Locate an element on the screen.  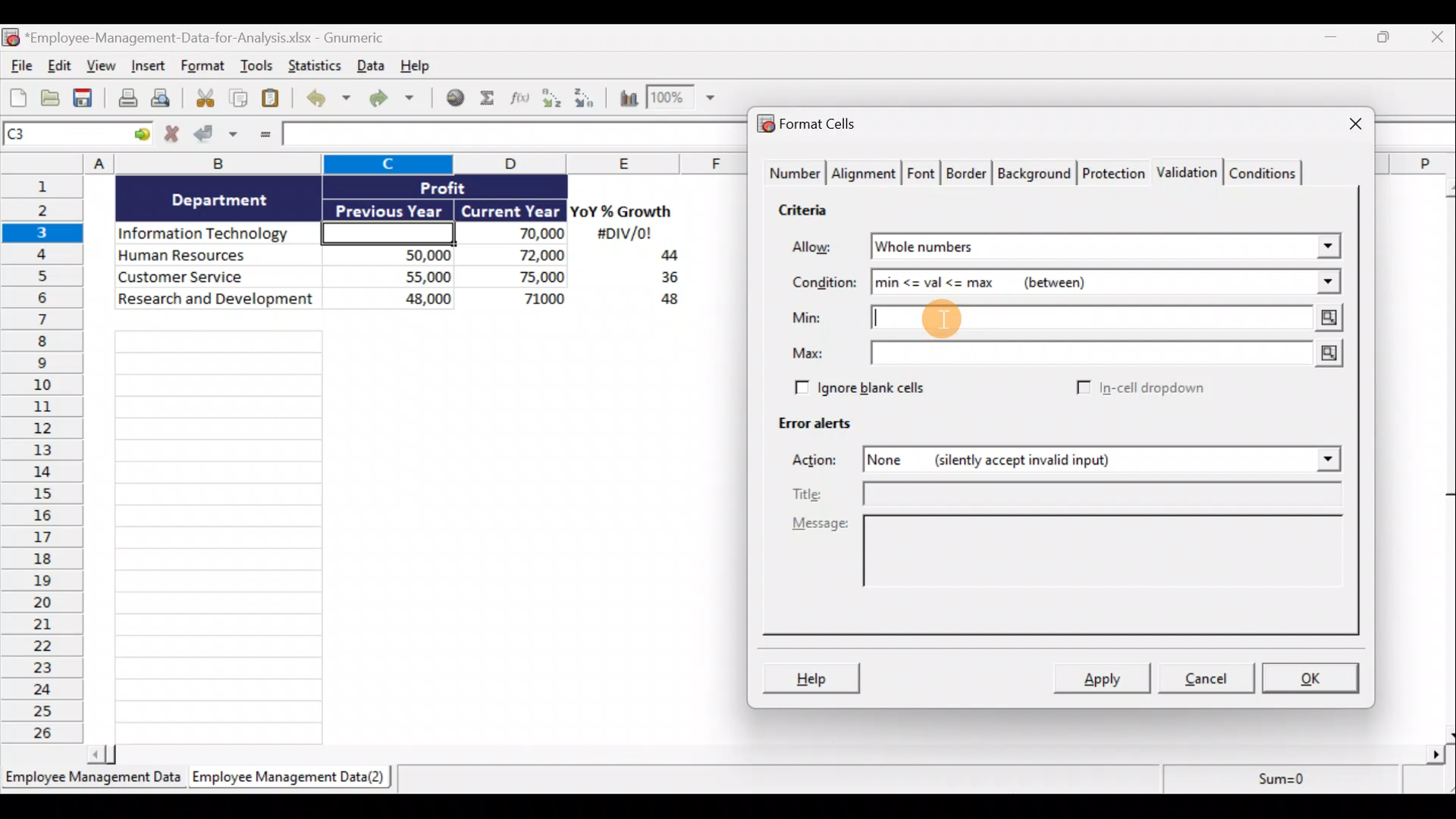
Employee Management Data(2) is located at coordinates (286, 780).